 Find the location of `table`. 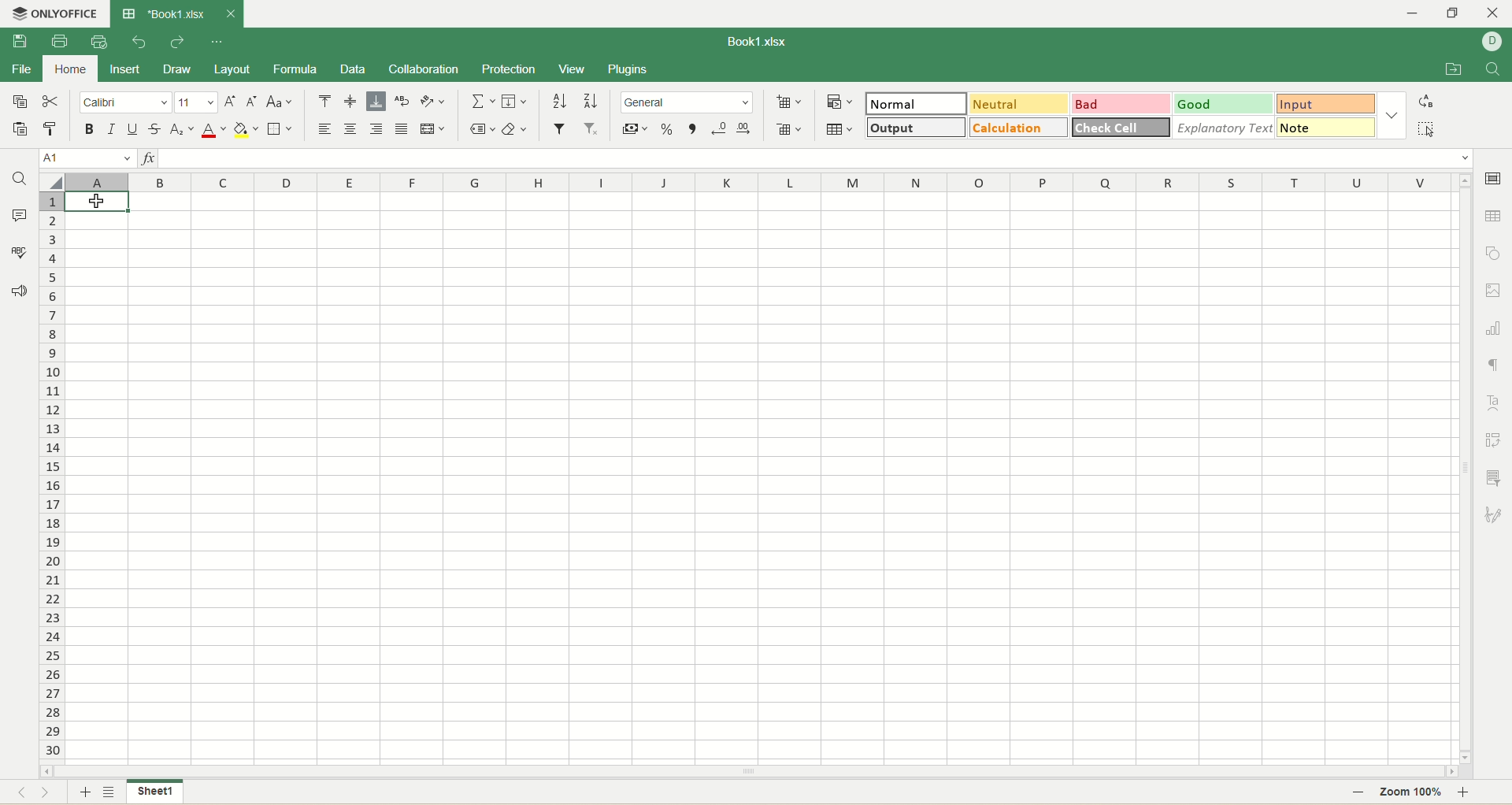

table is located at coordinates (1493, 214).